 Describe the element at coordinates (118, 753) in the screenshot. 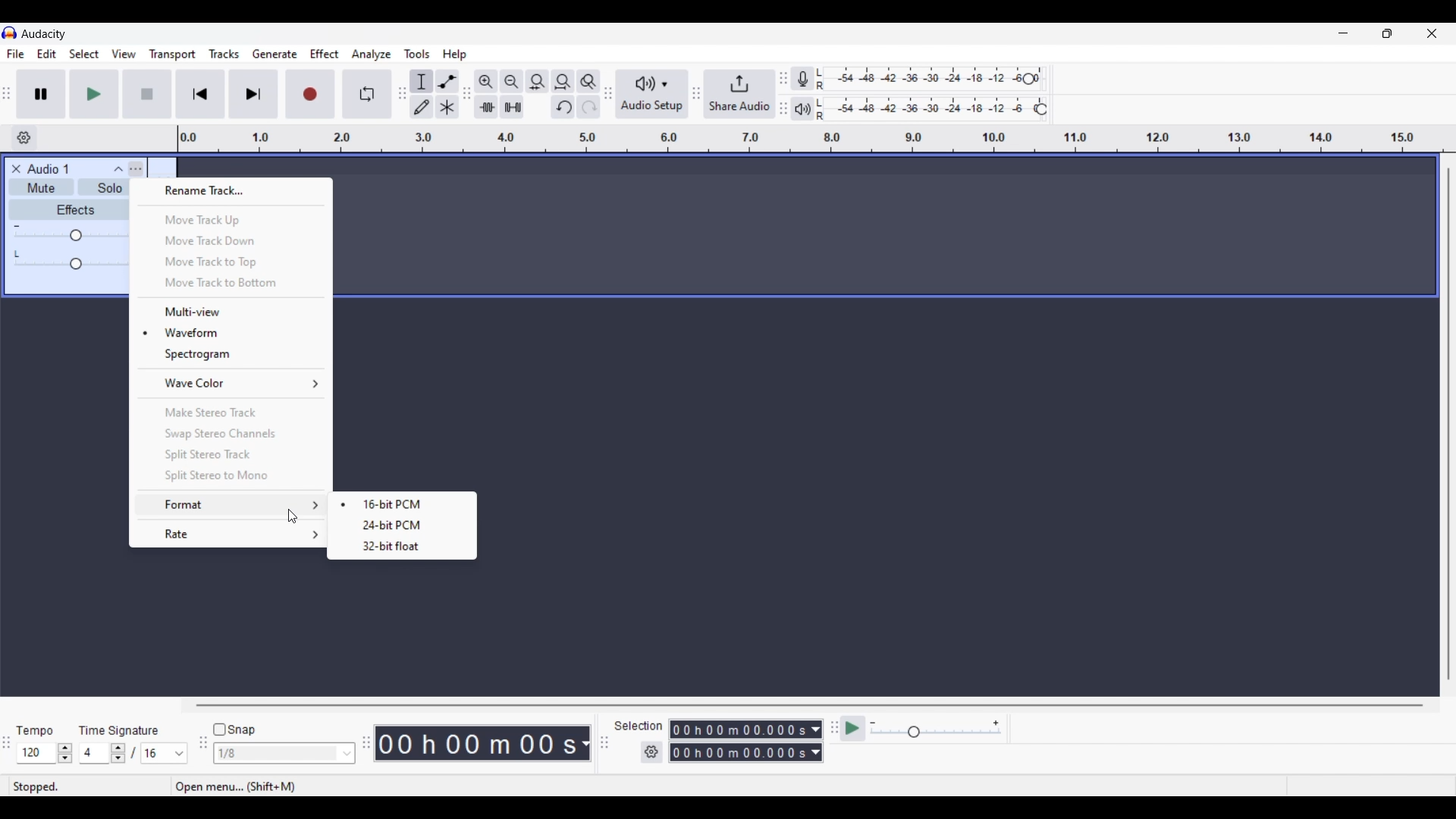

I see `Increase/Decrease time signature` at that location.